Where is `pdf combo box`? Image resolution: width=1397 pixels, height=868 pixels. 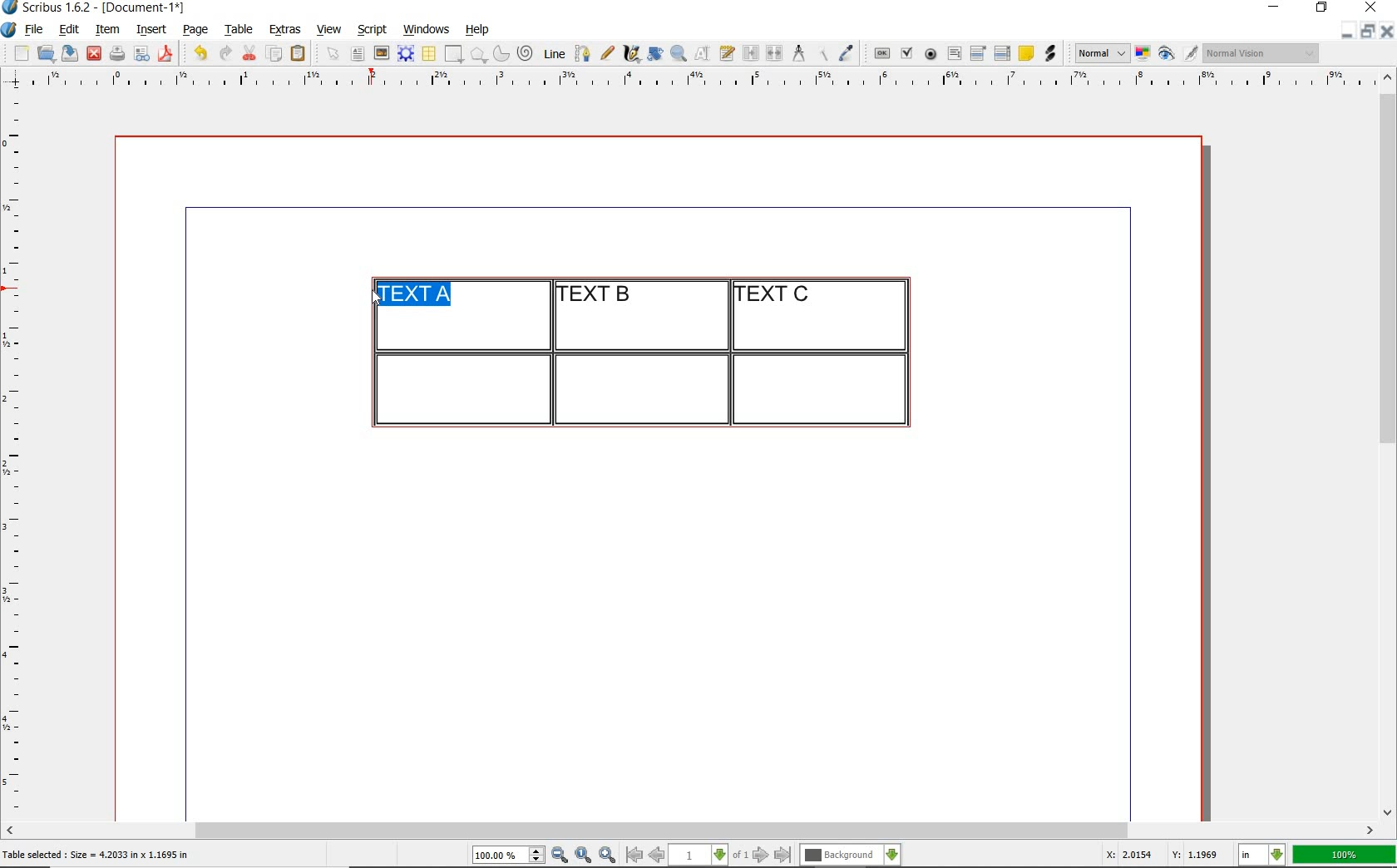 pdf combo box is located at coordinates (979, 52).